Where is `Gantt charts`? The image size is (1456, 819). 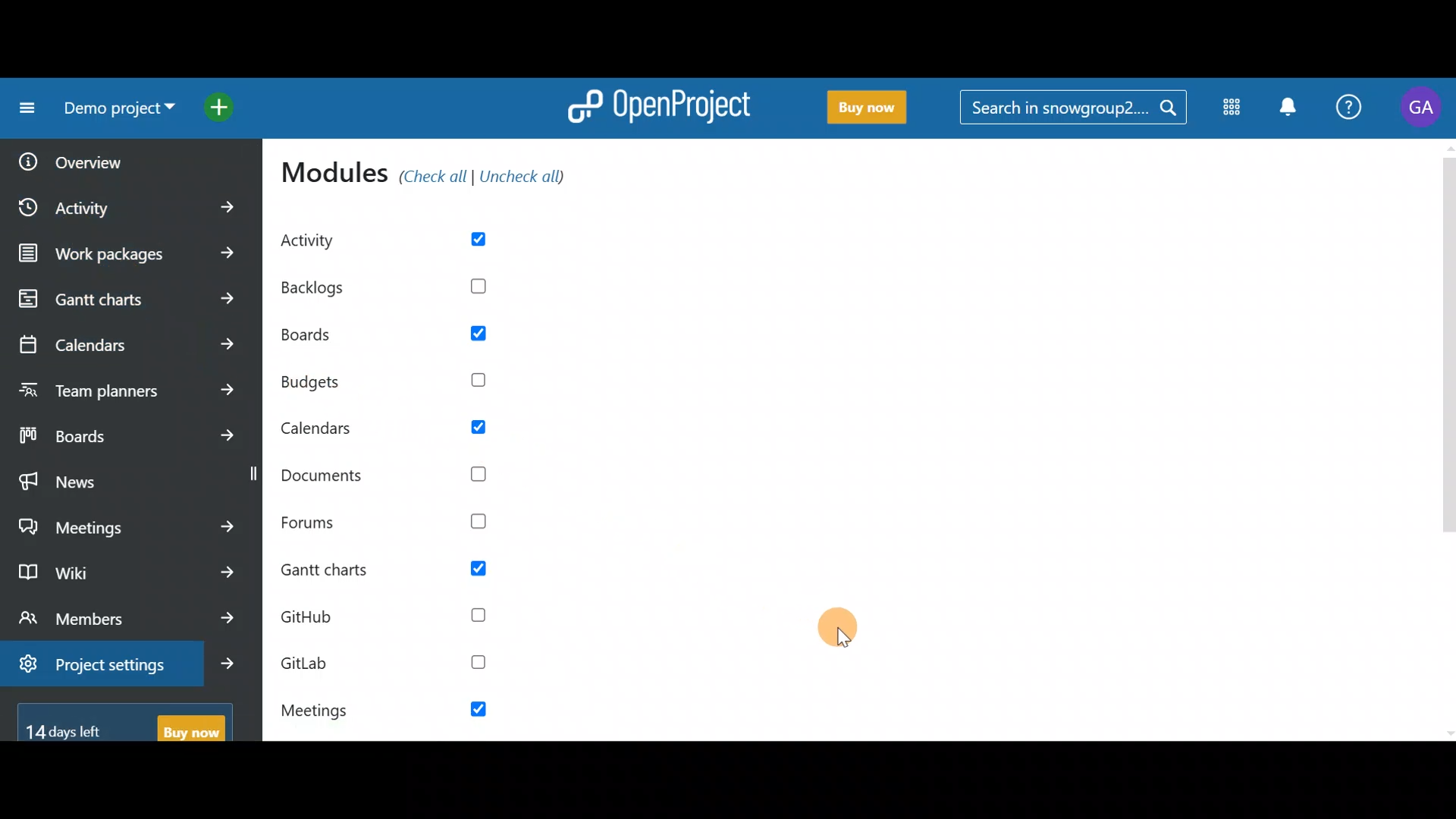
Gantt charts is located at coordinates (394, 570).